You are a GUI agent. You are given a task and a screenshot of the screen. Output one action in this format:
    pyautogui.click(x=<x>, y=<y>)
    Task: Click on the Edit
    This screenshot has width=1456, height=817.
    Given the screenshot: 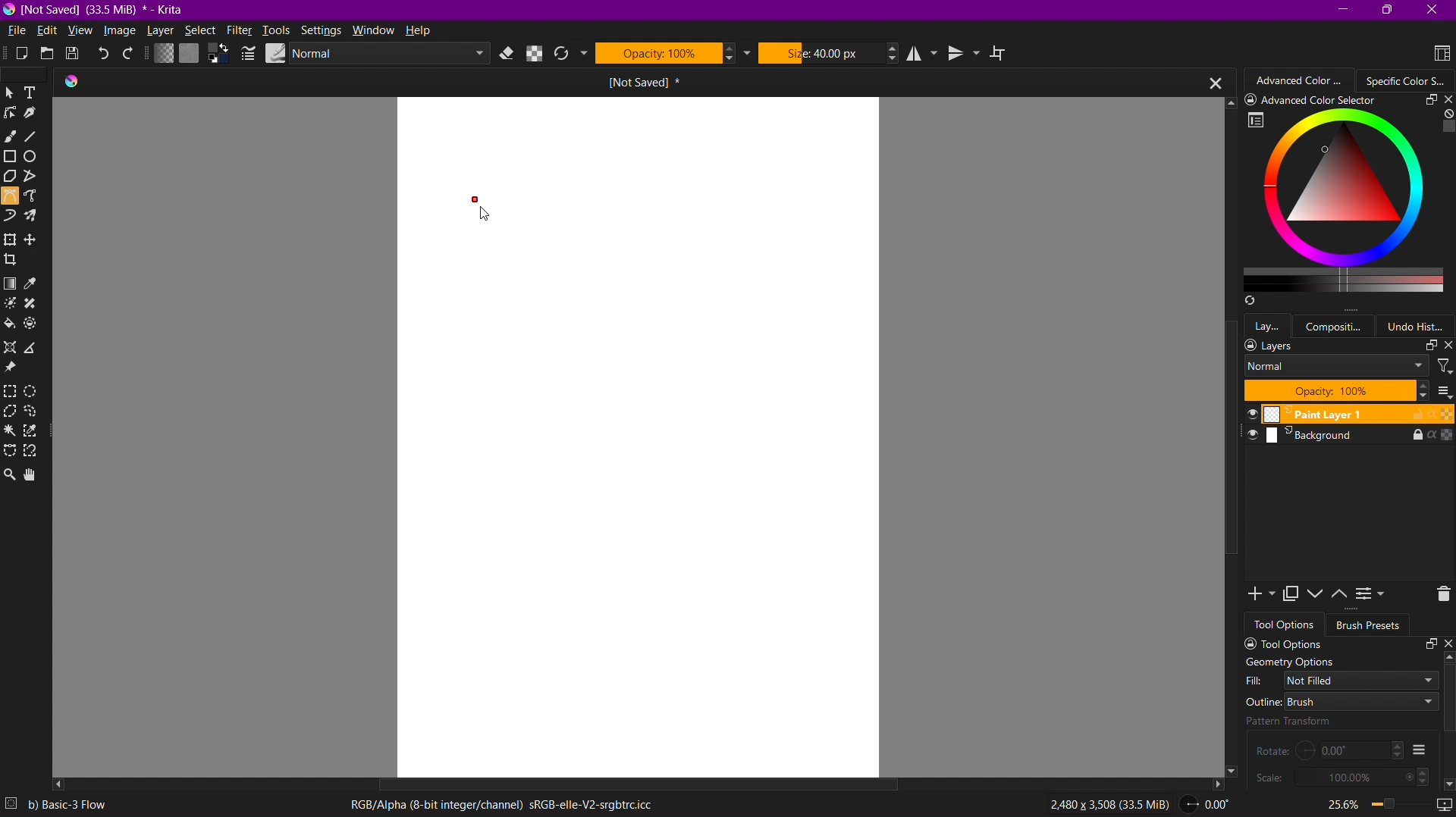 What is the action you would take?
    pyautogui.click(x=50, y=30)
    